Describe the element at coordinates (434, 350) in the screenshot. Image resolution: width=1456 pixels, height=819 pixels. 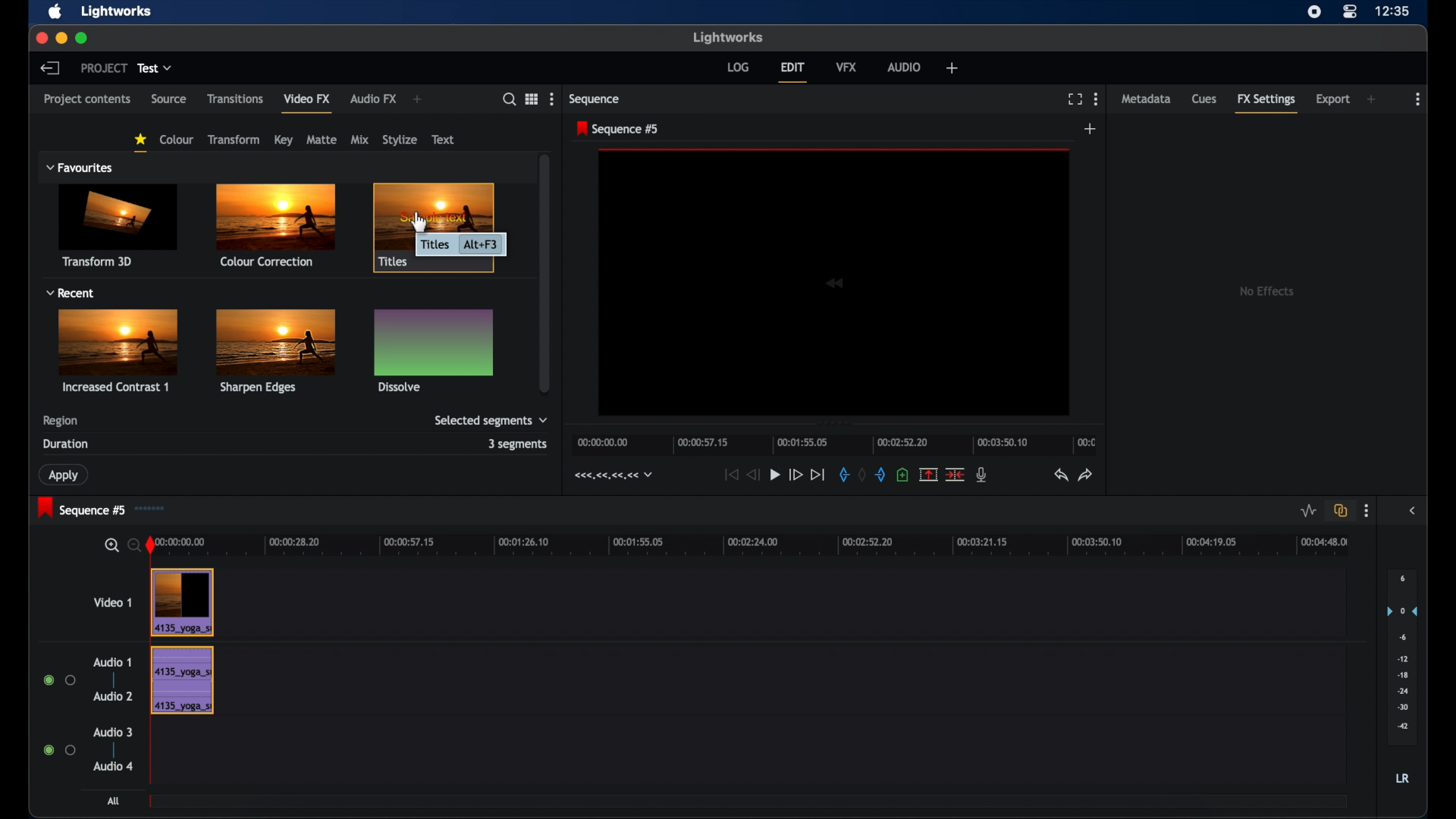
I see `dissolve` at that location.